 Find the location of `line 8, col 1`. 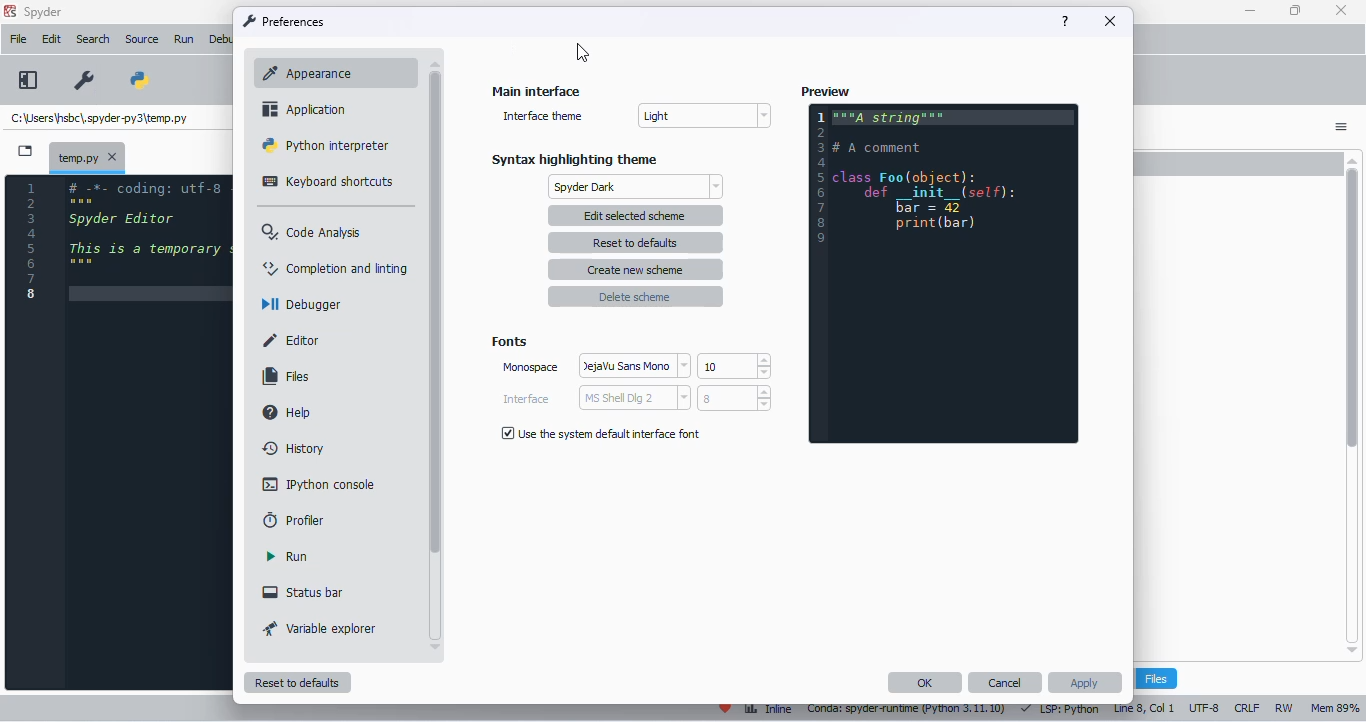

line 8, col 1 is located at coordinates (1143, 708).